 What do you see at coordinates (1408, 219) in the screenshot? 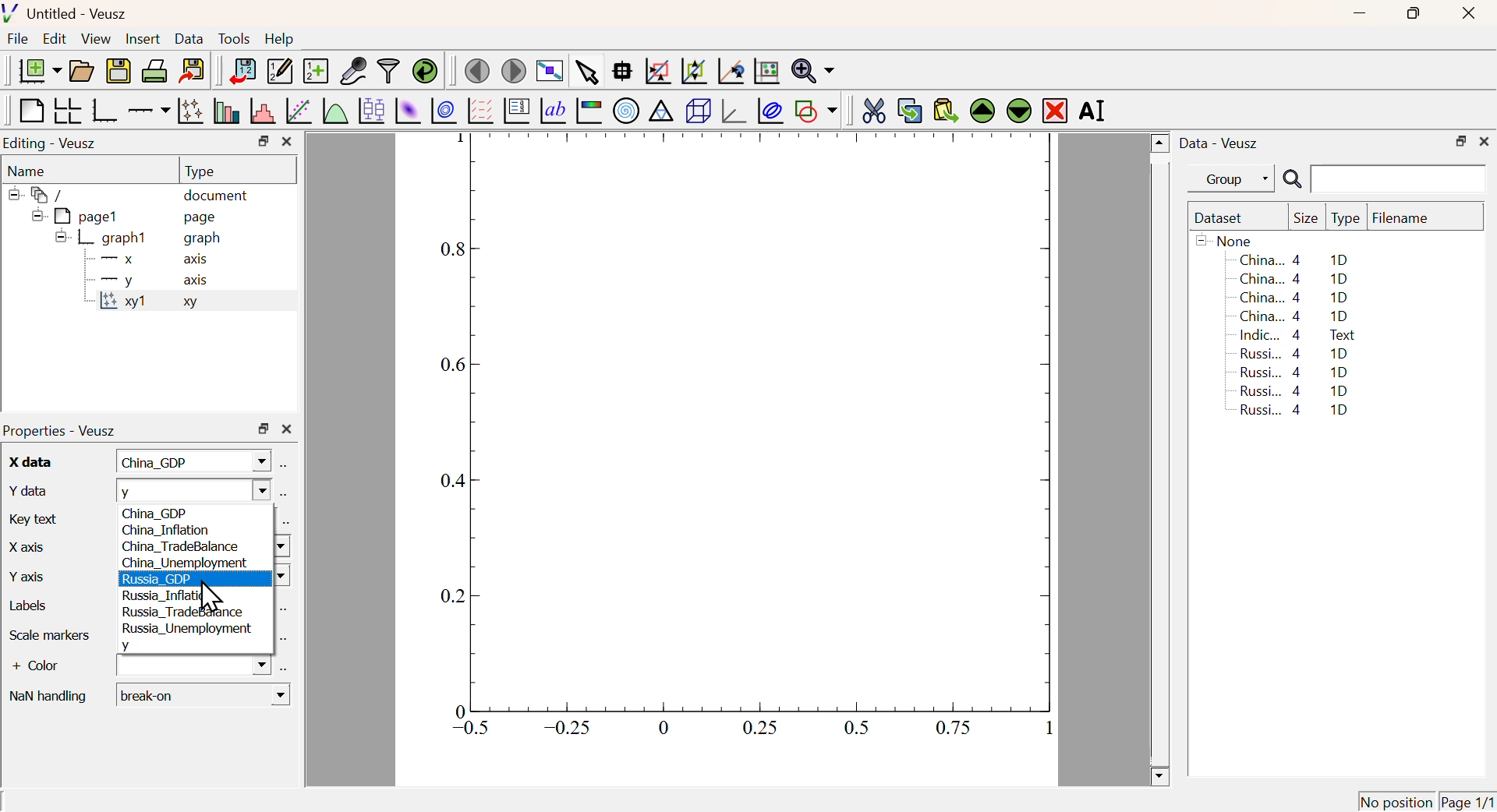
I see `Filename` at bounding box center [1408, 219].